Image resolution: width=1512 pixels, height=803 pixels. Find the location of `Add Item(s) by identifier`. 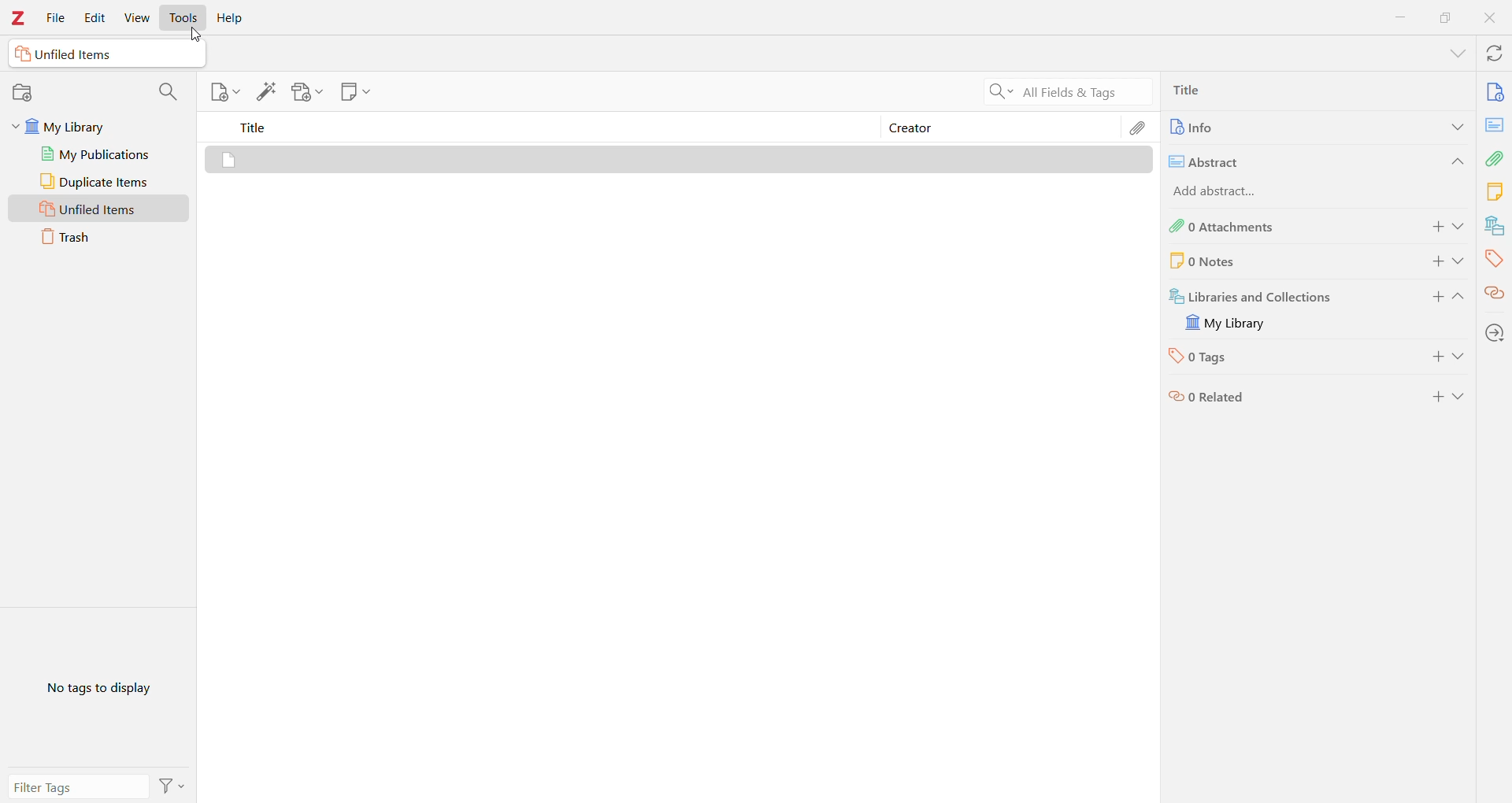

Add Item(s) by identifier is located at coordinates (262, 93).